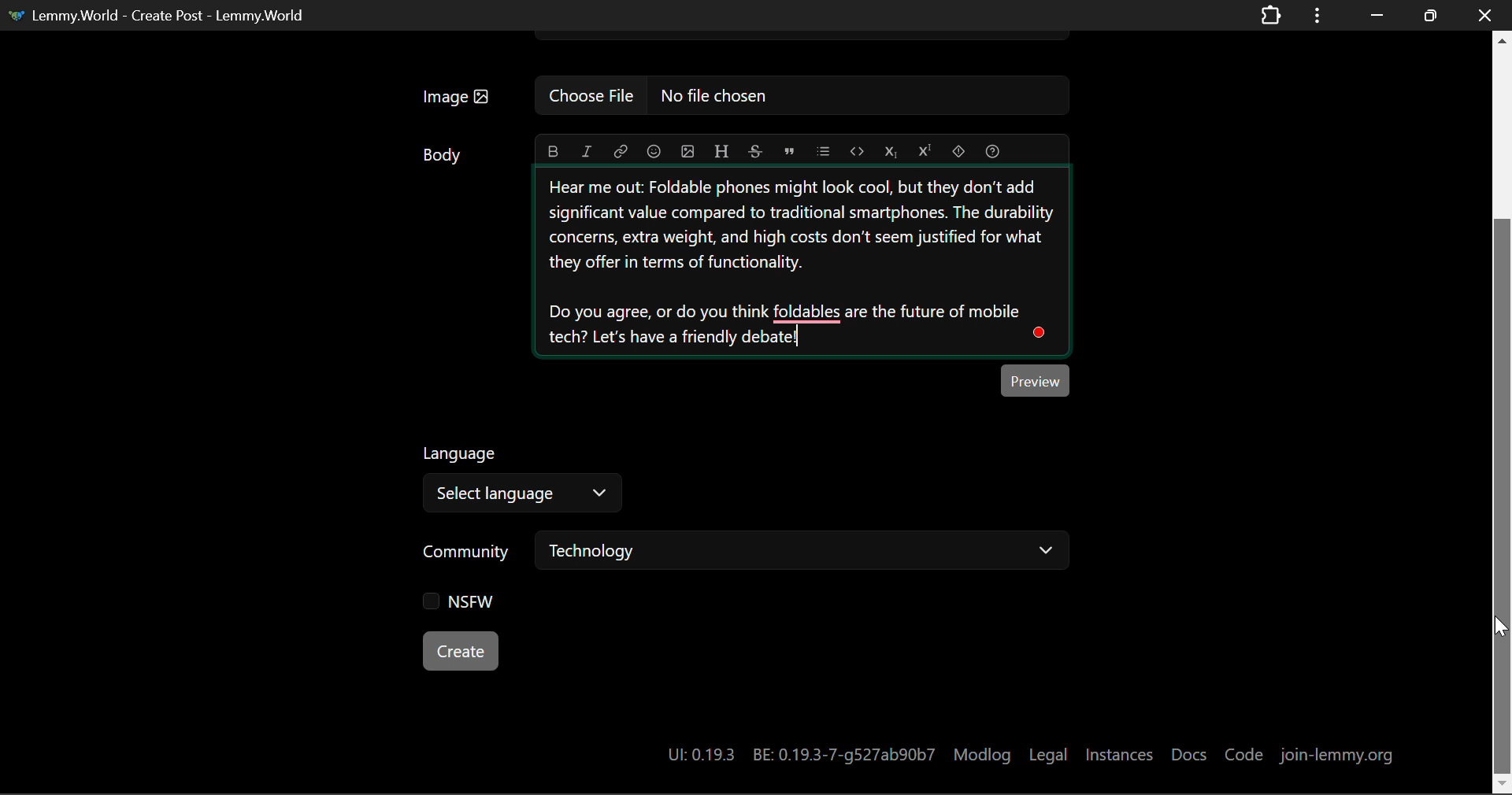 The width and height of the screenshot is (1512, 795). Describe the element at coordinates (1336, 751) in the screenshot. I see `join-lemmy.org` at that location.